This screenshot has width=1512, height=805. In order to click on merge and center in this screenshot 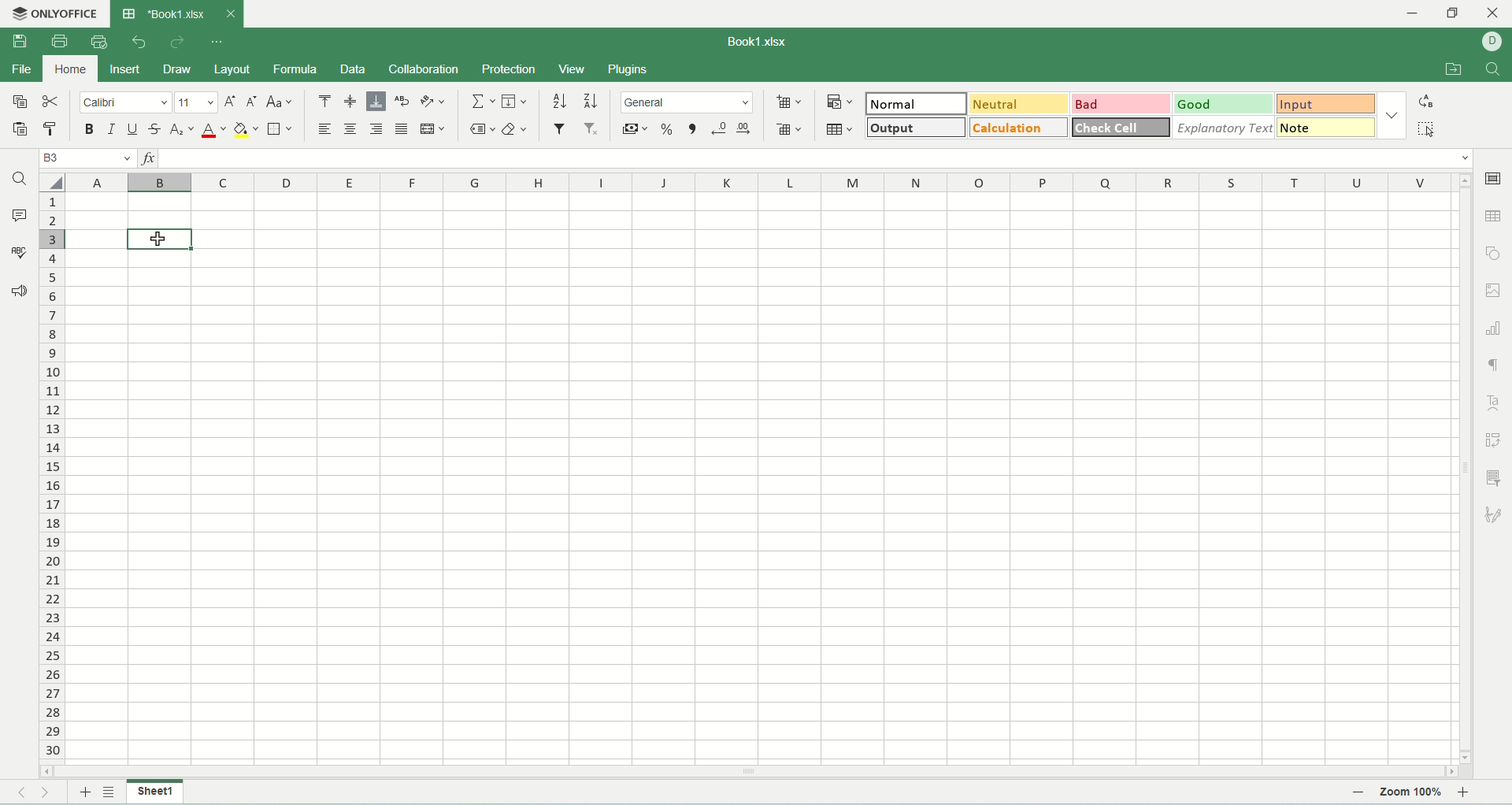, I will do `click(432, 129)`.